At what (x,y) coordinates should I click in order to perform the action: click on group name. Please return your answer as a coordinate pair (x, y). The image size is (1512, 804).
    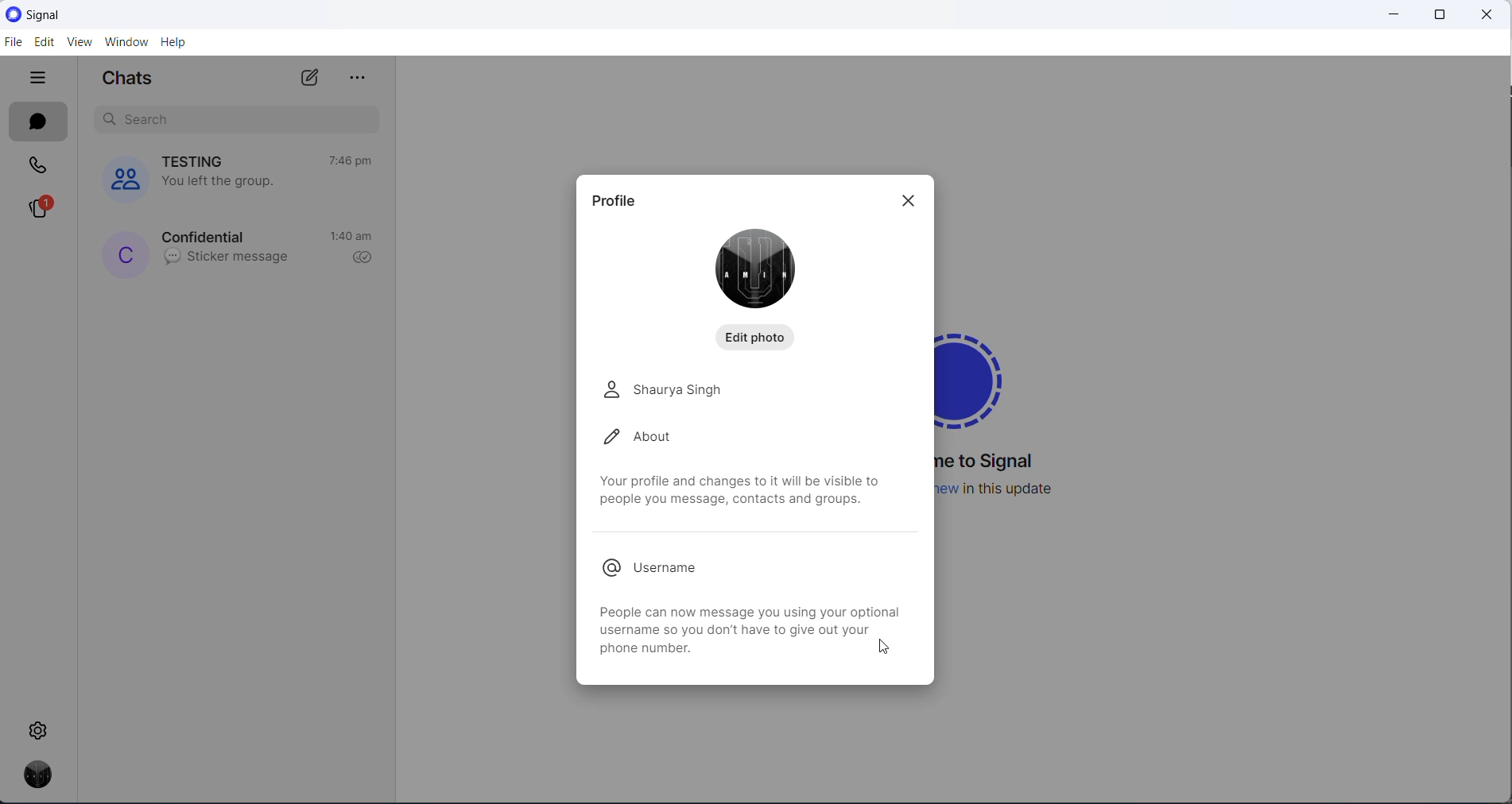
    Looking at the image, I should click on (199, 161).